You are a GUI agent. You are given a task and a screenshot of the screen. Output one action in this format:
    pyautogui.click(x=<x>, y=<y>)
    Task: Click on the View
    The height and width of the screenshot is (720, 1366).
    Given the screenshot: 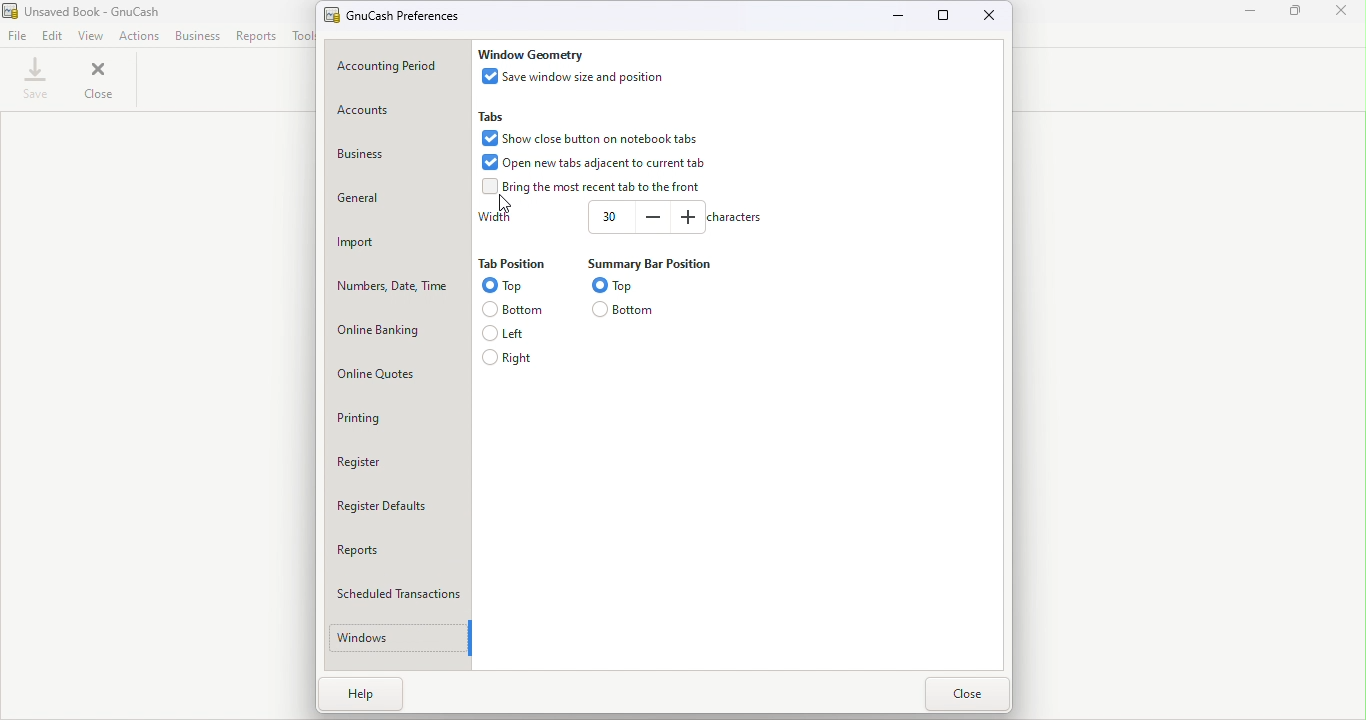 What is the action you would take?
    pyautogui.click(x=93, y=36)
    